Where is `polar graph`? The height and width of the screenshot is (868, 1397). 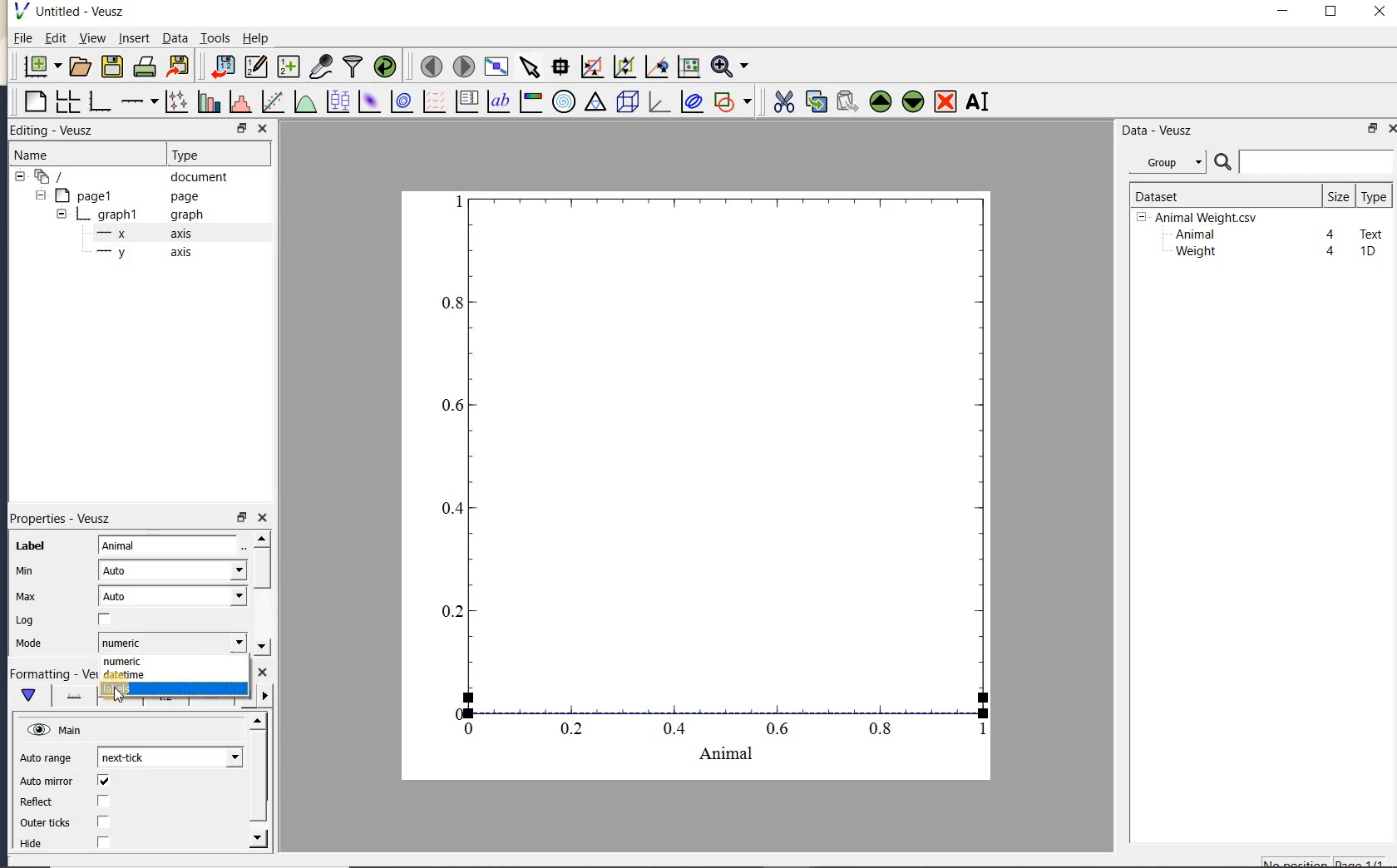
polar graph is located at coordinates (563, 101).